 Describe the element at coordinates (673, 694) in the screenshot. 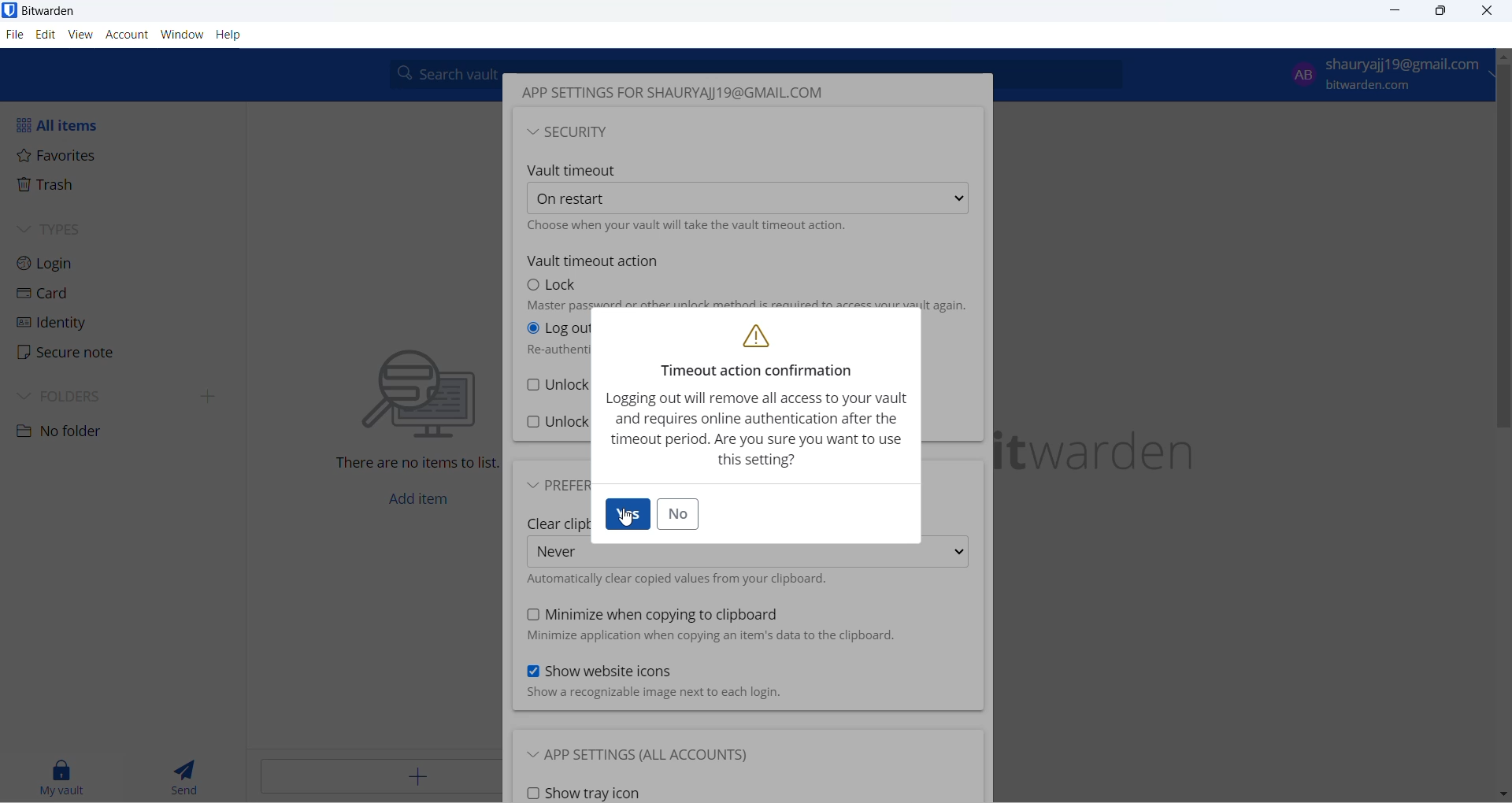

I see `text` at that location.